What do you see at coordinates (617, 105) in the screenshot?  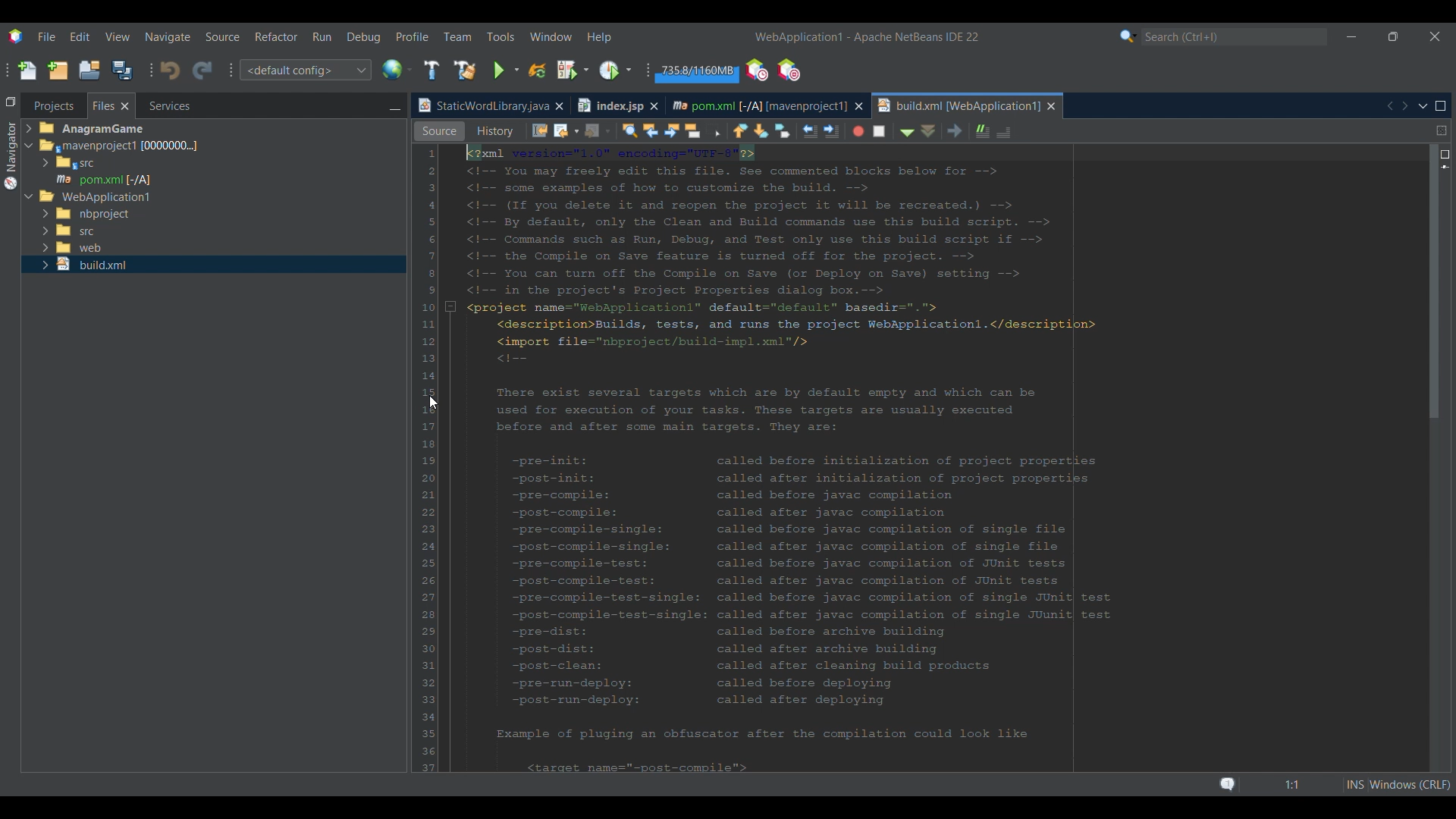 I see `Other tab` at bounding box center [617, 105].